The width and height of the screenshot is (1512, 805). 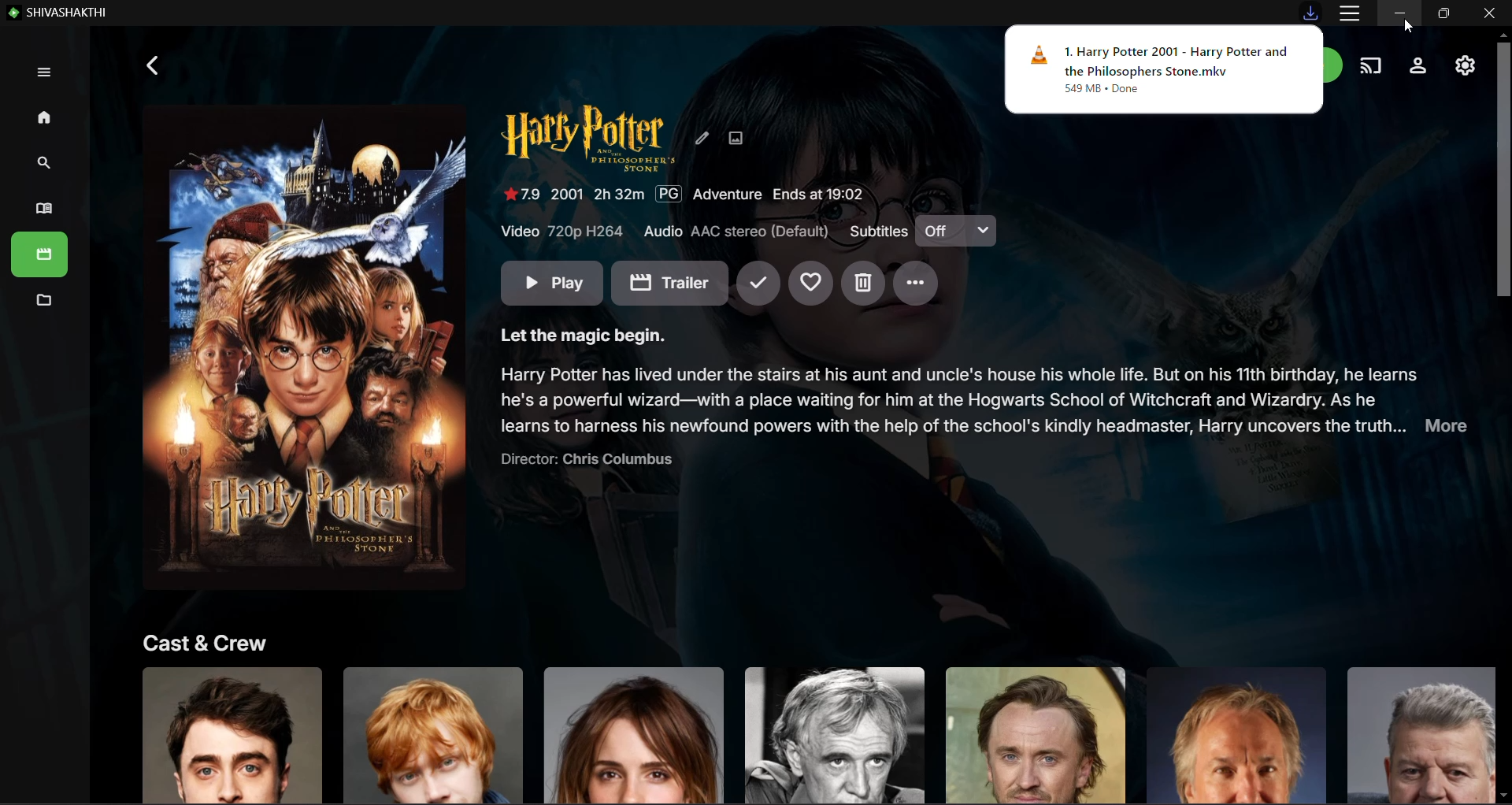 I want to click on Get Emby Premier, so click(x=1336, y=65).